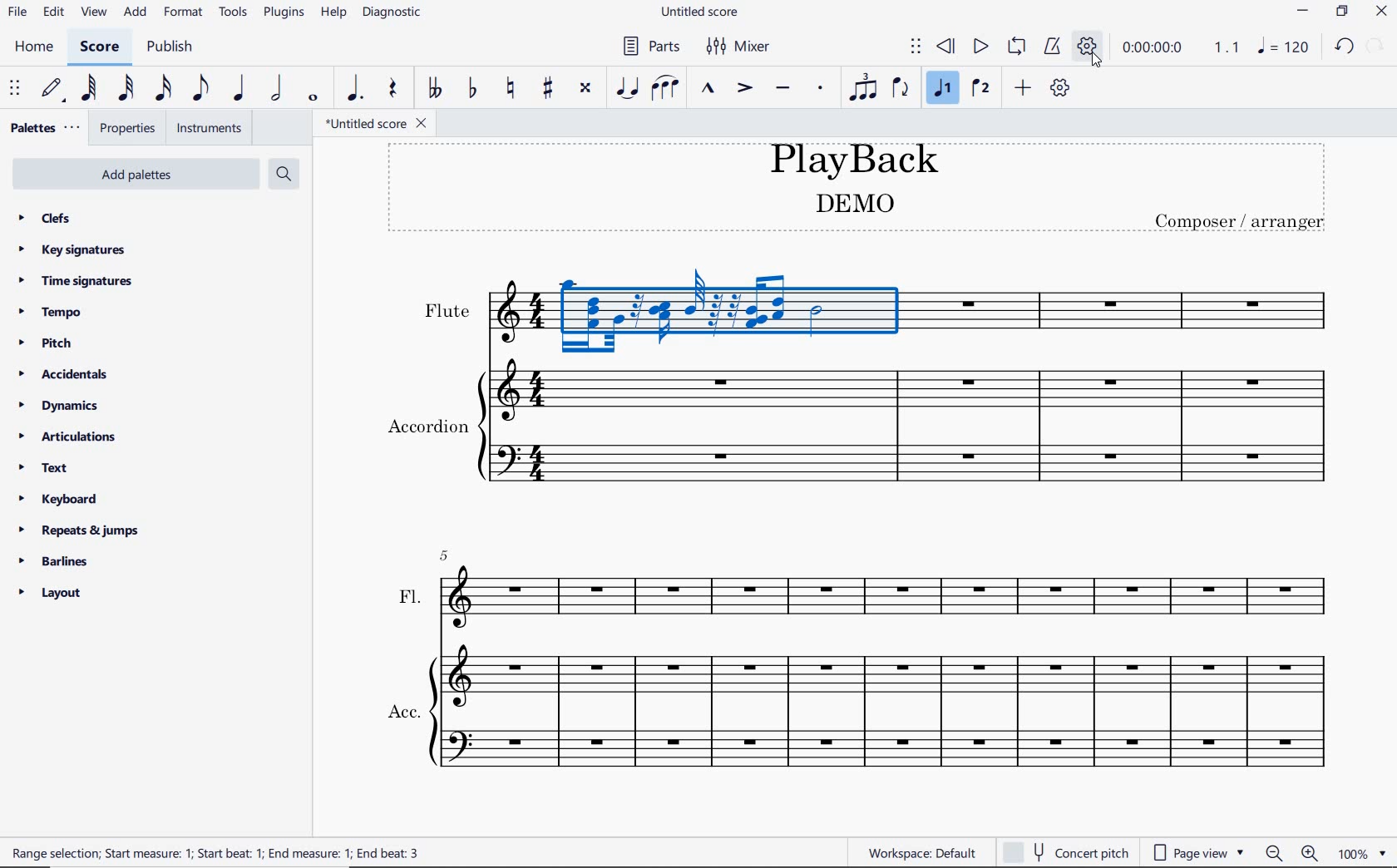 The image size is (1397, 868). Describe the element at coordinates (239, 89) in the screenshot. I see `quarter note` at that location.